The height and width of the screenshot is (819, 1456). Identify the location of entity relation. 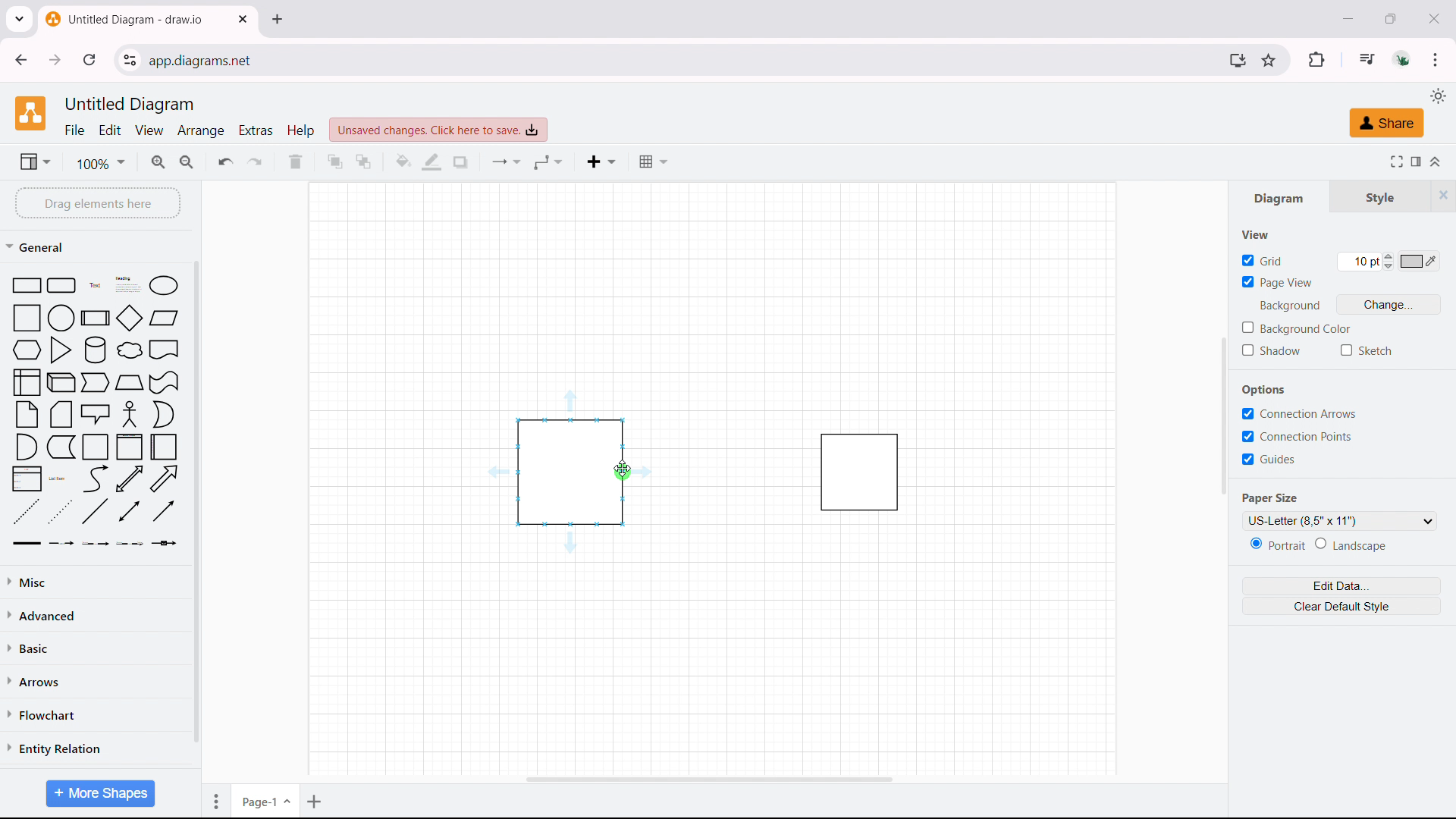
(95, 748).